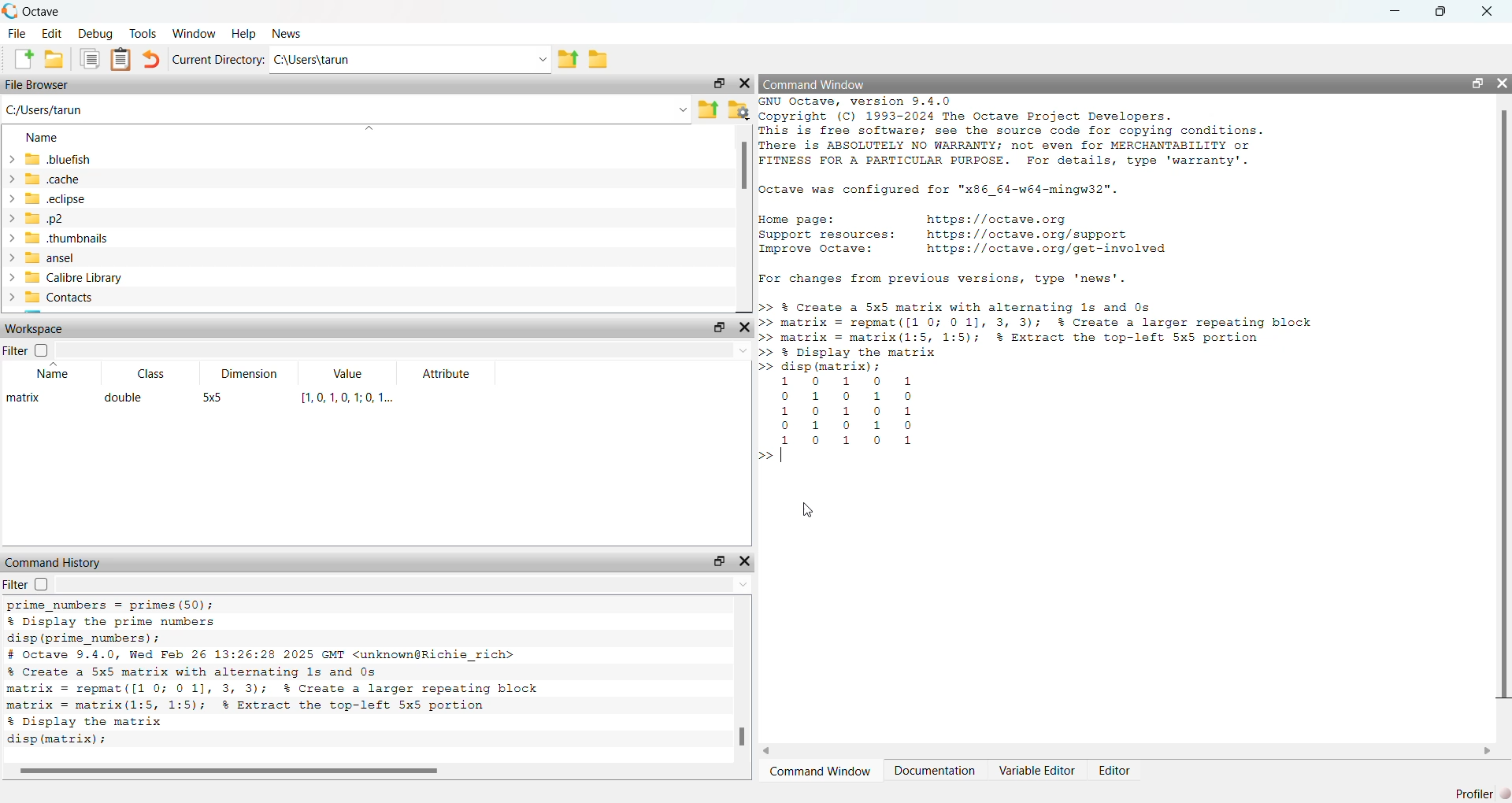  I want to click on Name, so click(55, 372).